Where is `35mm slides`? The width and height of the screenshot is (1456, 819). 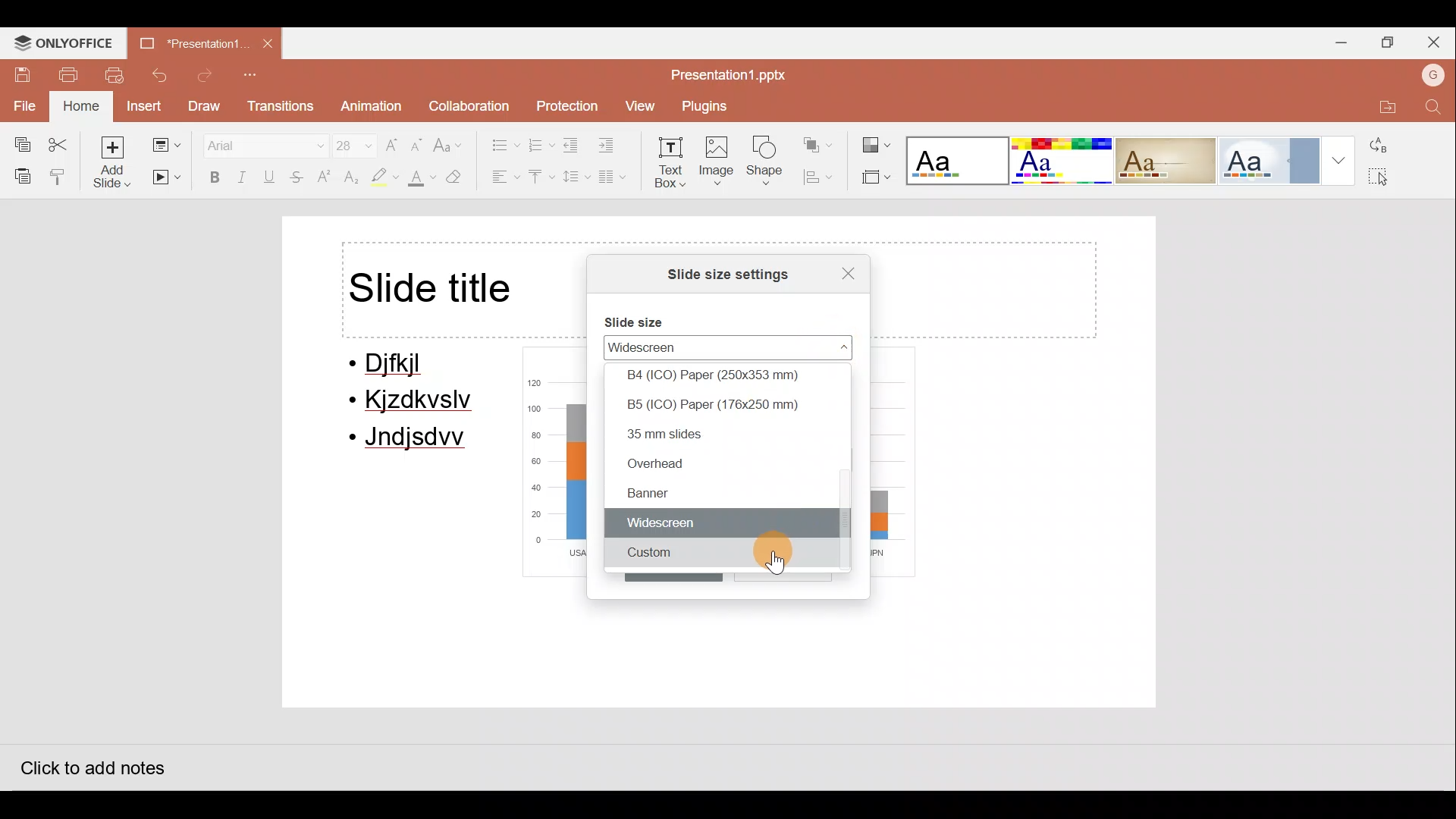 35mm slides is located at coordinates (728, 434).